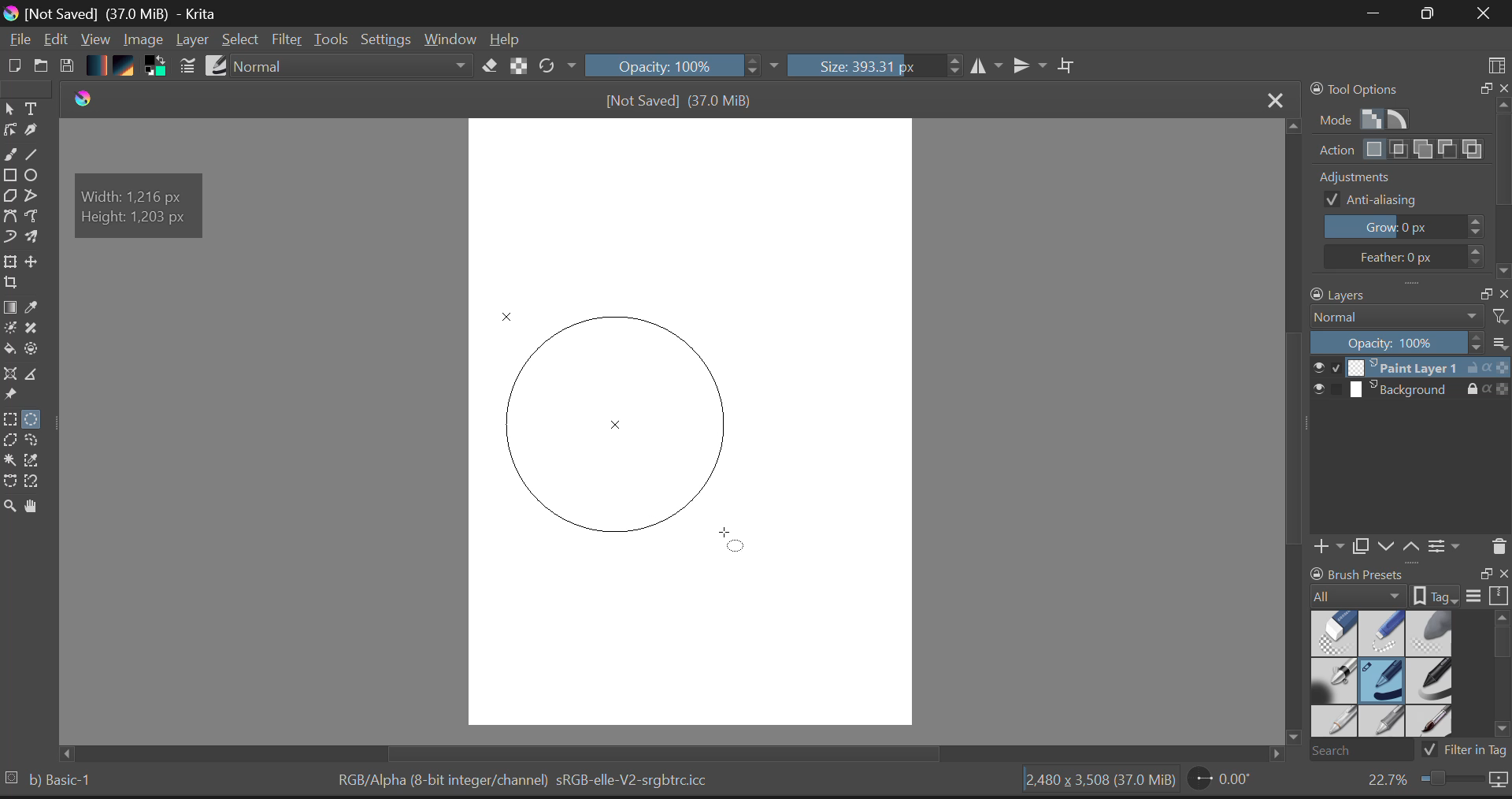  What do you see at coordinates (13, 372) in the screenshot?
I see `Assistant Tool` at bounding box center [13, 372].